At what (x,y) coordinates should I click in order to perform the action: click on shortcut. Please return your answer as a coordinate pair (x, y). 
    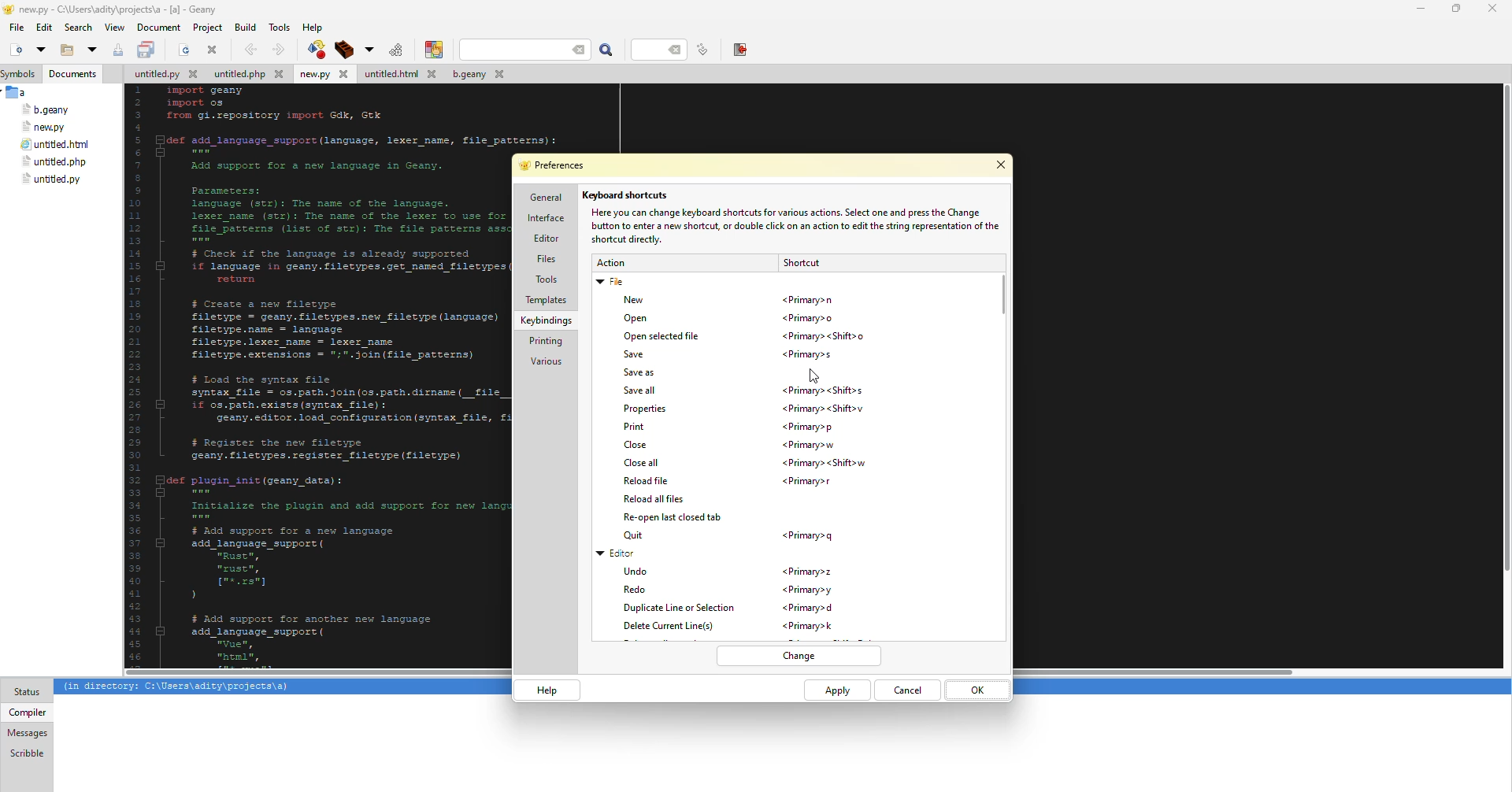
    Looking at the image, I should click on (825, 463).